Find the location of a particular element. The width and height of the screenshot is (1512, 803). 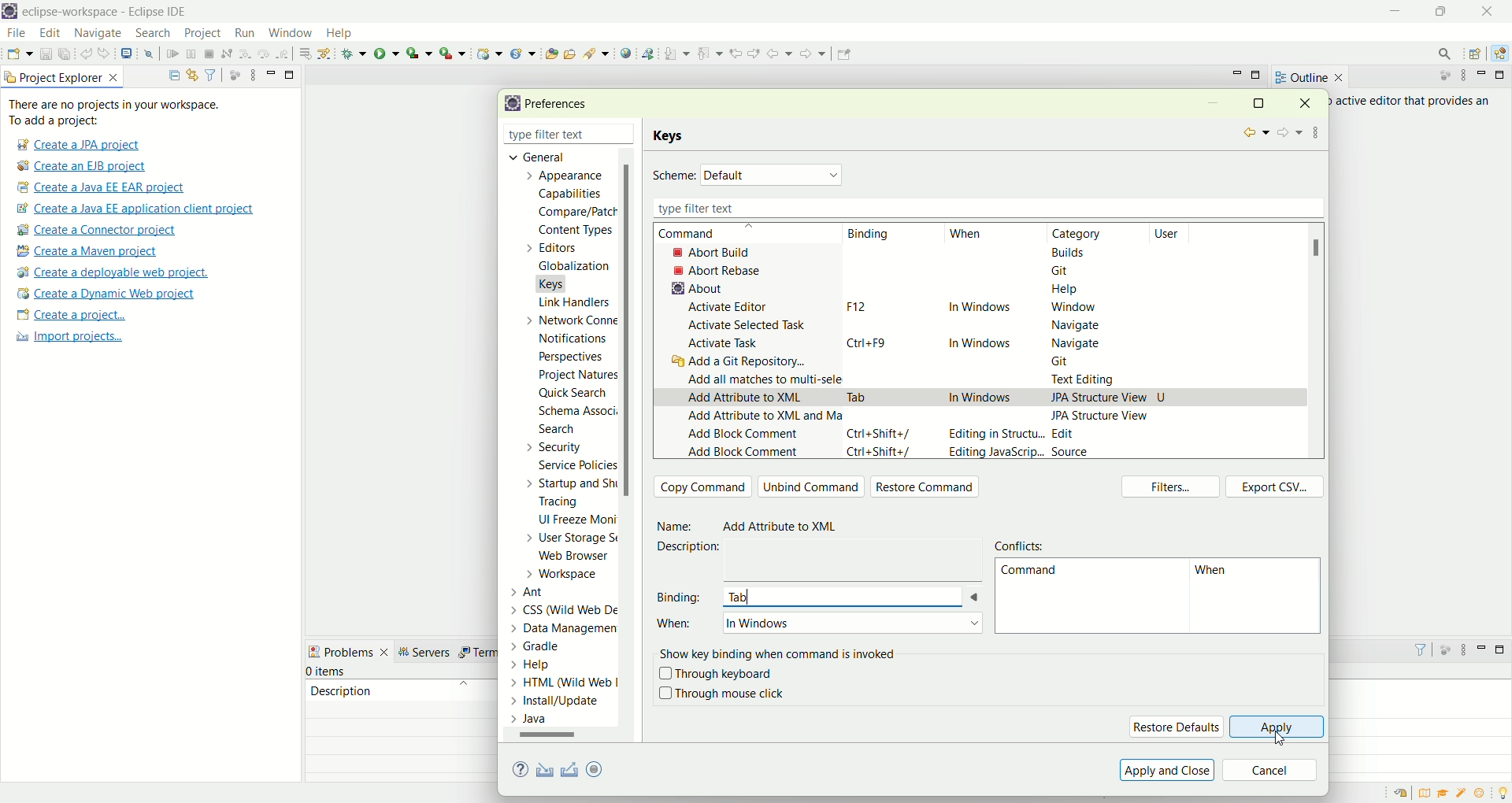

restore command is located at coordinates (929, 488).